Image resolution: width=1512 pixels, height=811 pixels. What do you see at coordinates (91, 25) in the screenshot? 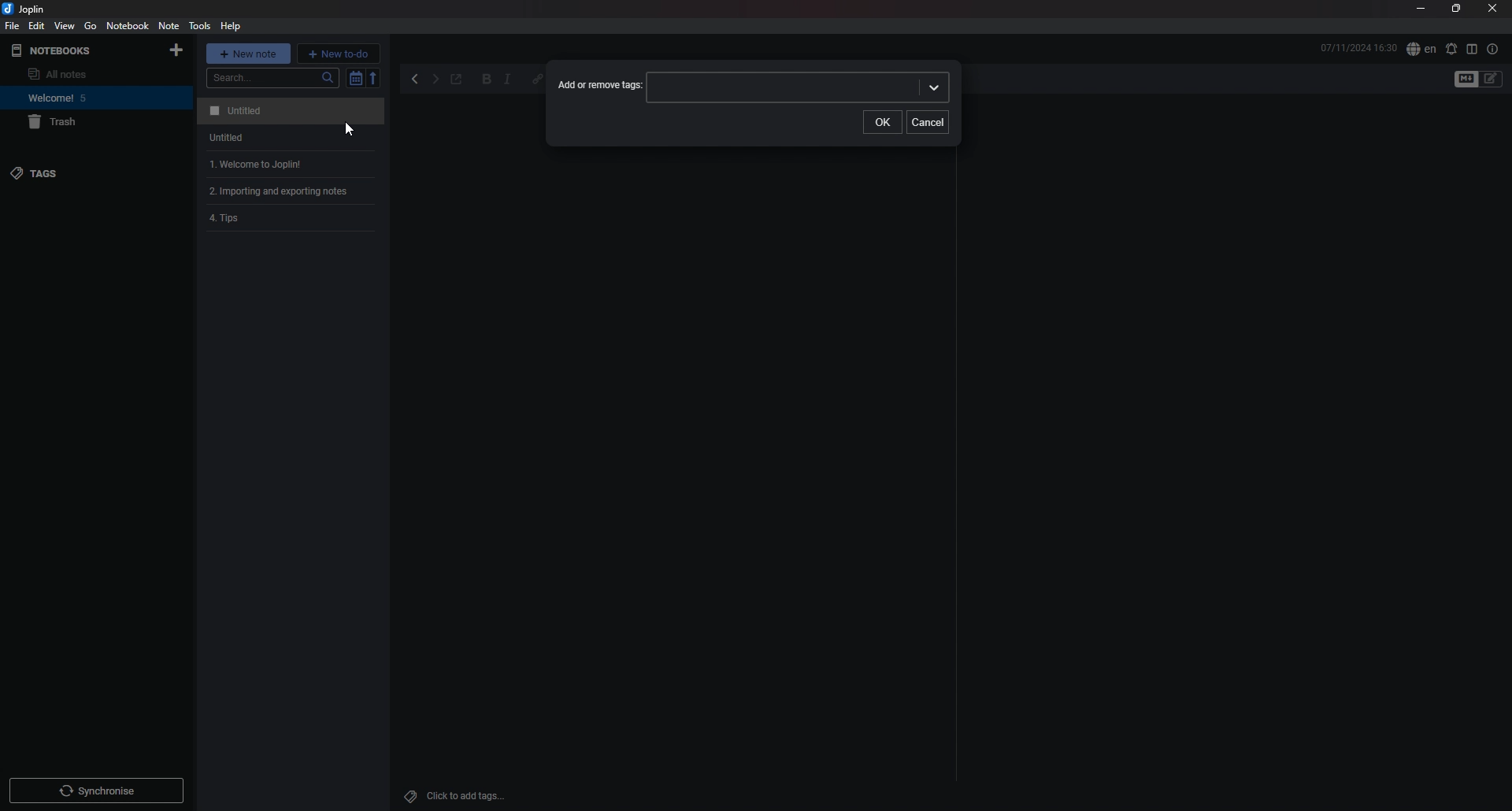
I see `go` at bounding box center [91, 25].